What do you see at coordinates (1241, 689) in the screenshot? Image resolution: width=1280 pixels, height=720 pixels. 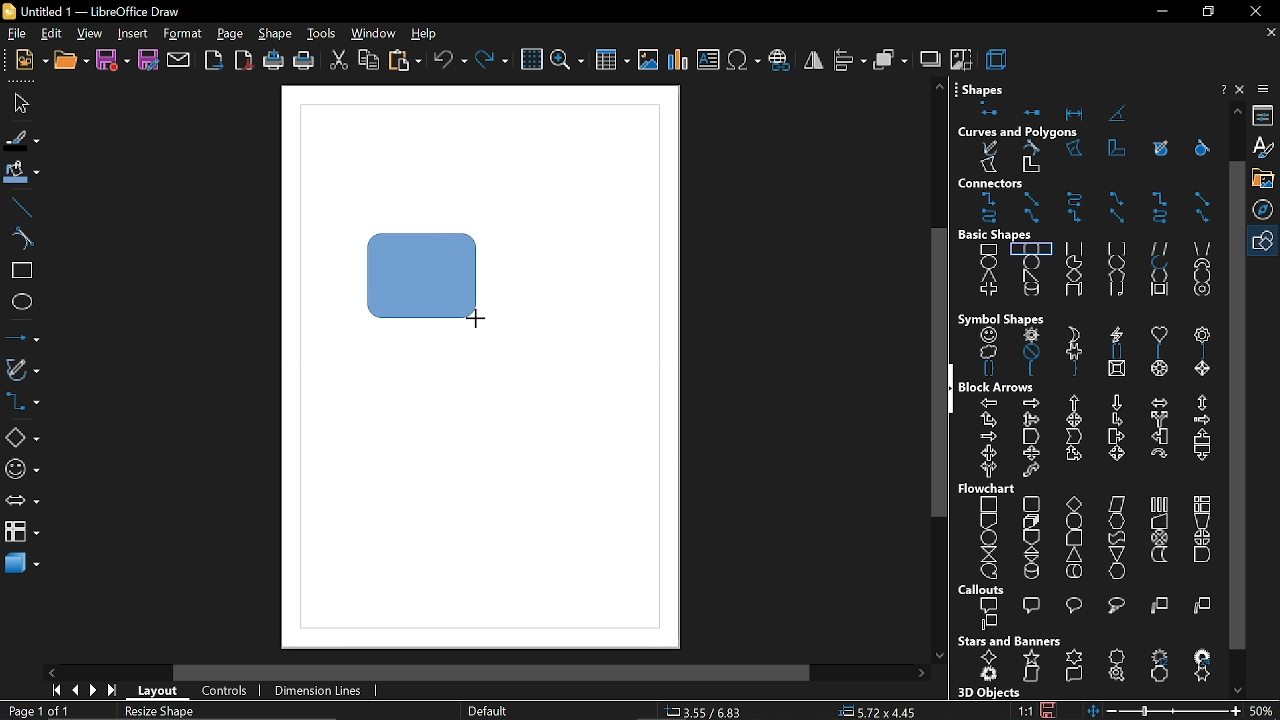 I see `move down` at bounding box center [1241, 689].